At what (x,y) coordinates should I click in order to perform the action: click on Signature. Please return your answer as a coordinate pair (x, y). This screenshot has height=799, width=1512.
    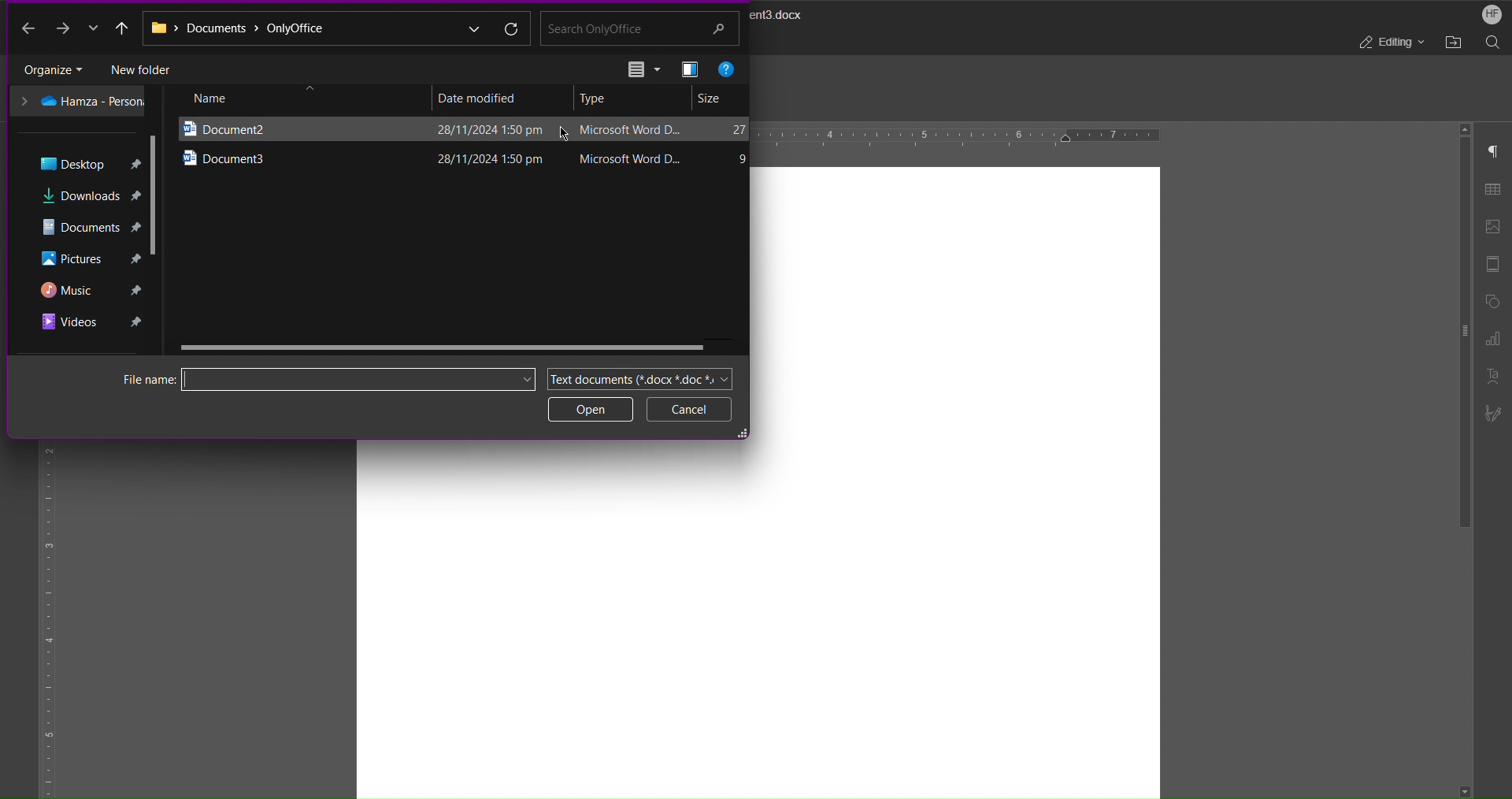
    Looking at the image, I should click on (1495, 414).